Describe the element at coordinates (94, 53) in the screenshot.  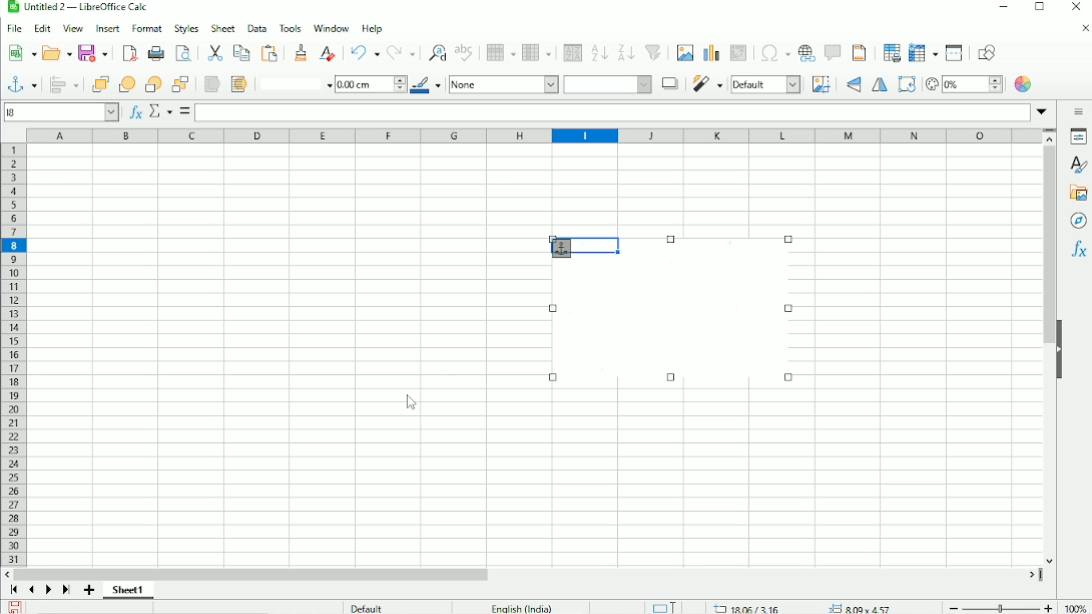
I see `save` at that location.